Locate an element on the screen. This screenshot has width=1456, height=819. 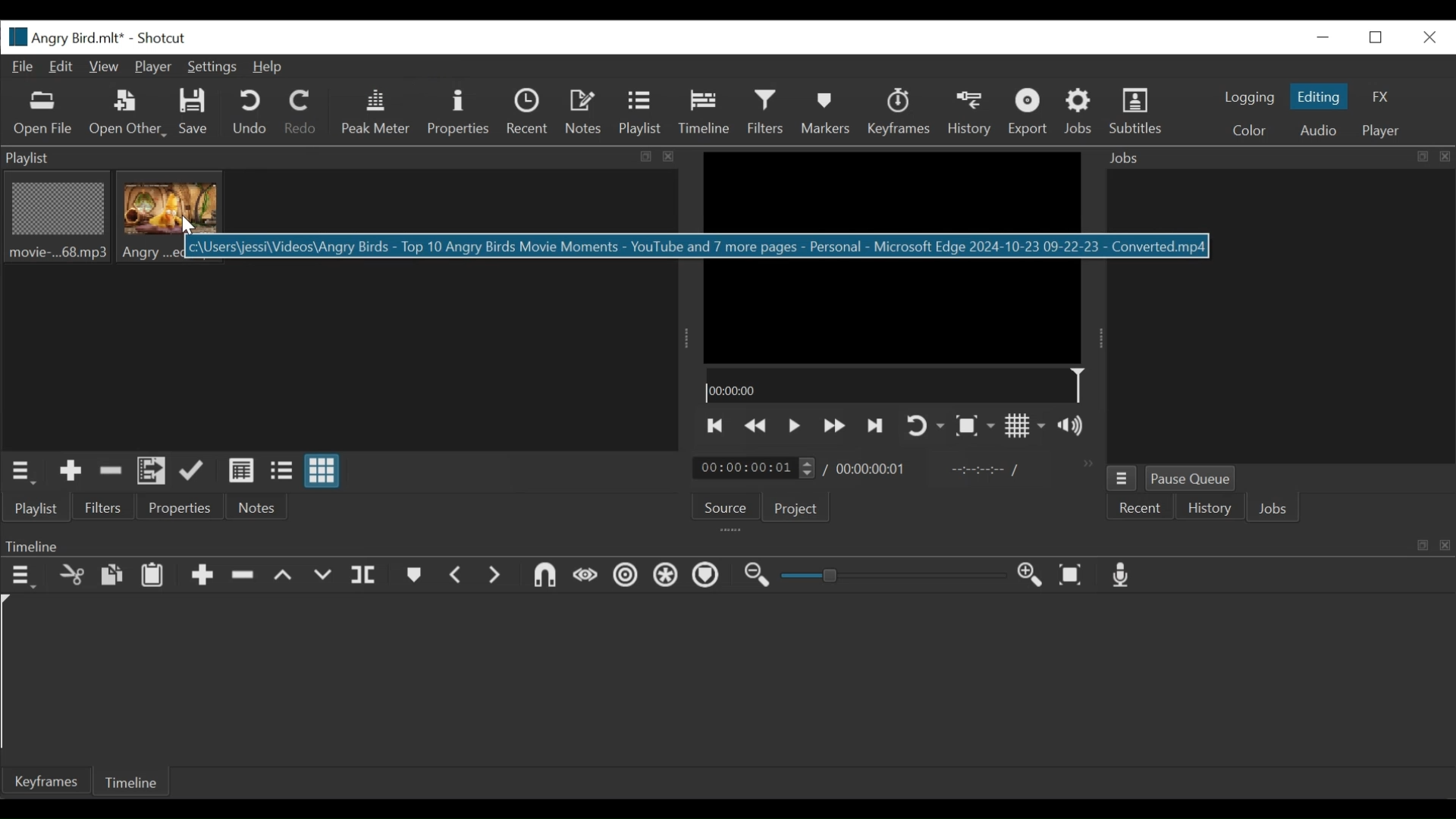
Toggle display grid on player is located at coordinates (1027, 427).